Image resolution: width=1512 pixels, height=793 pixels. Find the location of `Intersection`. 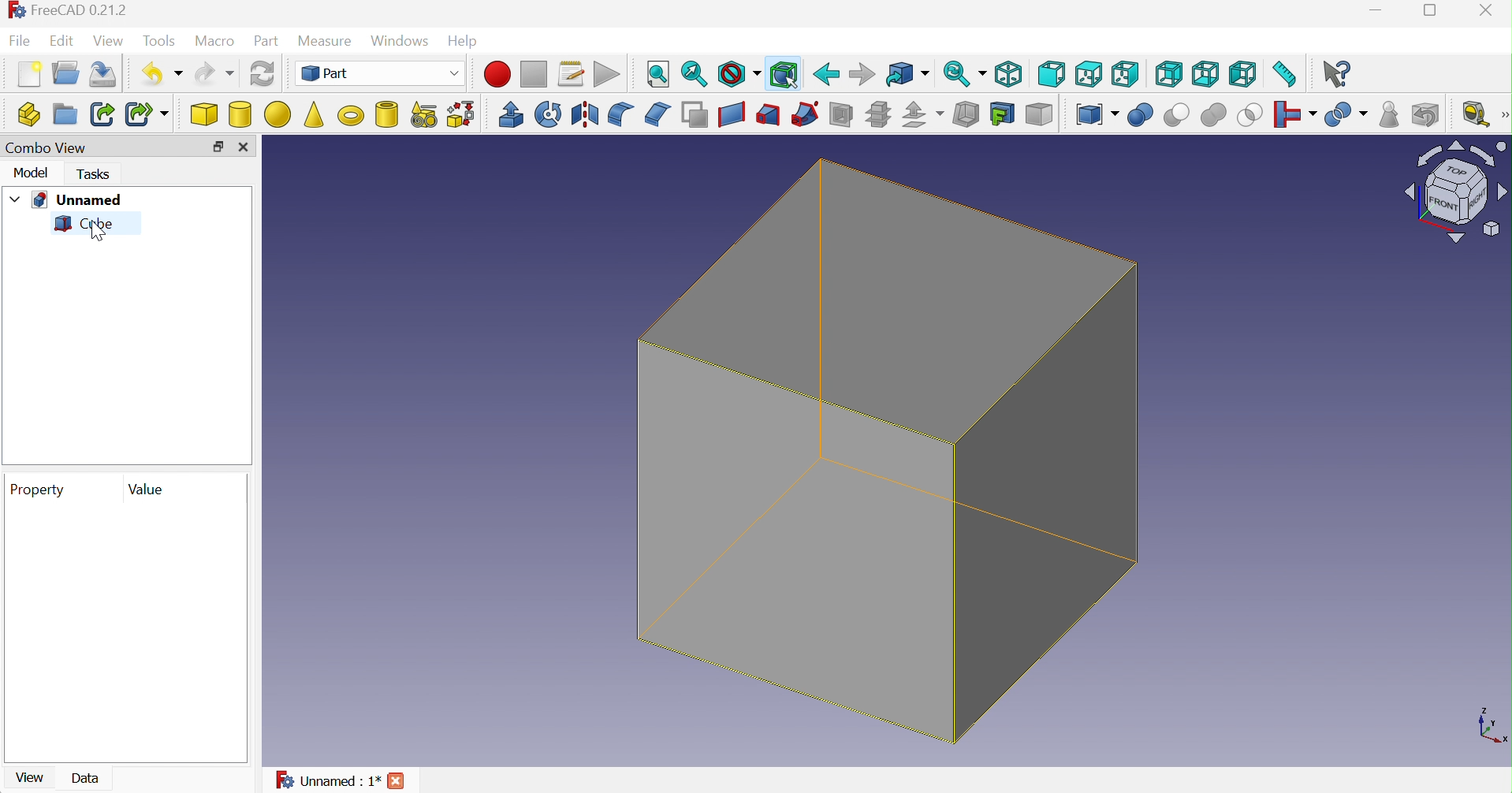

Intersection is located at coordinates (1249, 115).